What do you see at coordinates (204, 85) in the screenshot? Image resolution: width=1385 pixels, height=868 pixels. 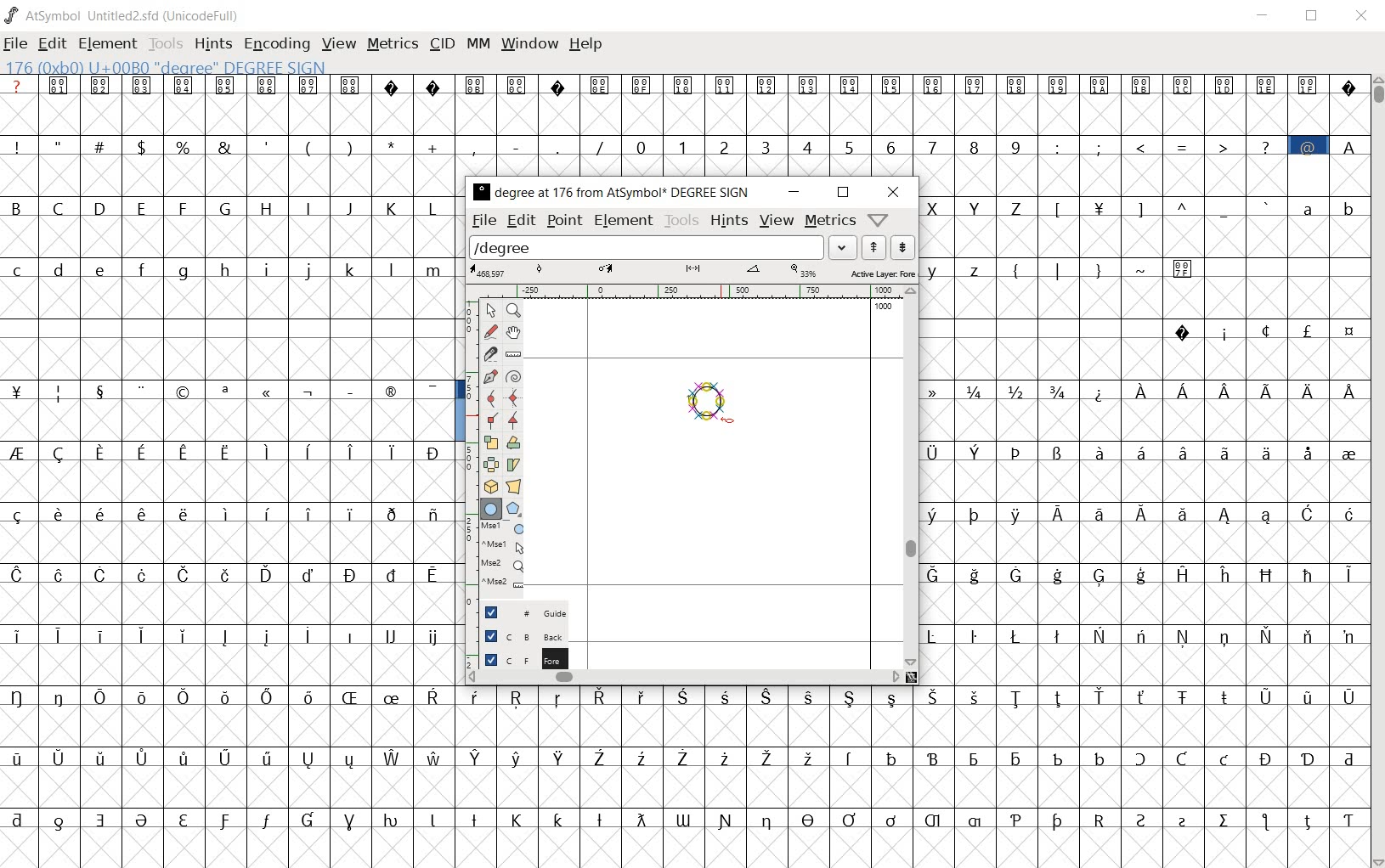 I see `unicode code points` at bounding box center [204, 85].